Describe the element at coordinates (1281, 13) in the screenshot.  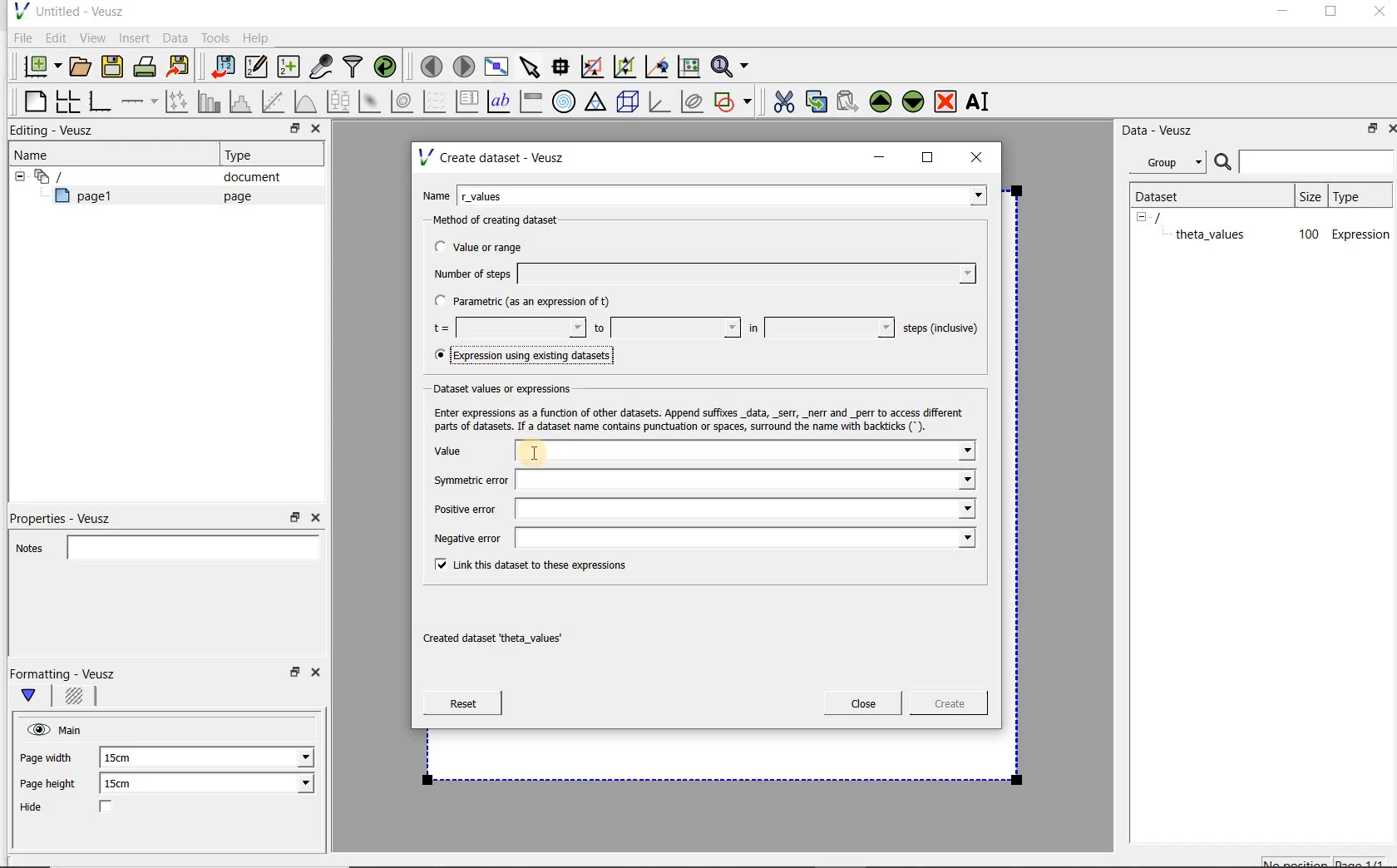
I see `minimize` at that location.